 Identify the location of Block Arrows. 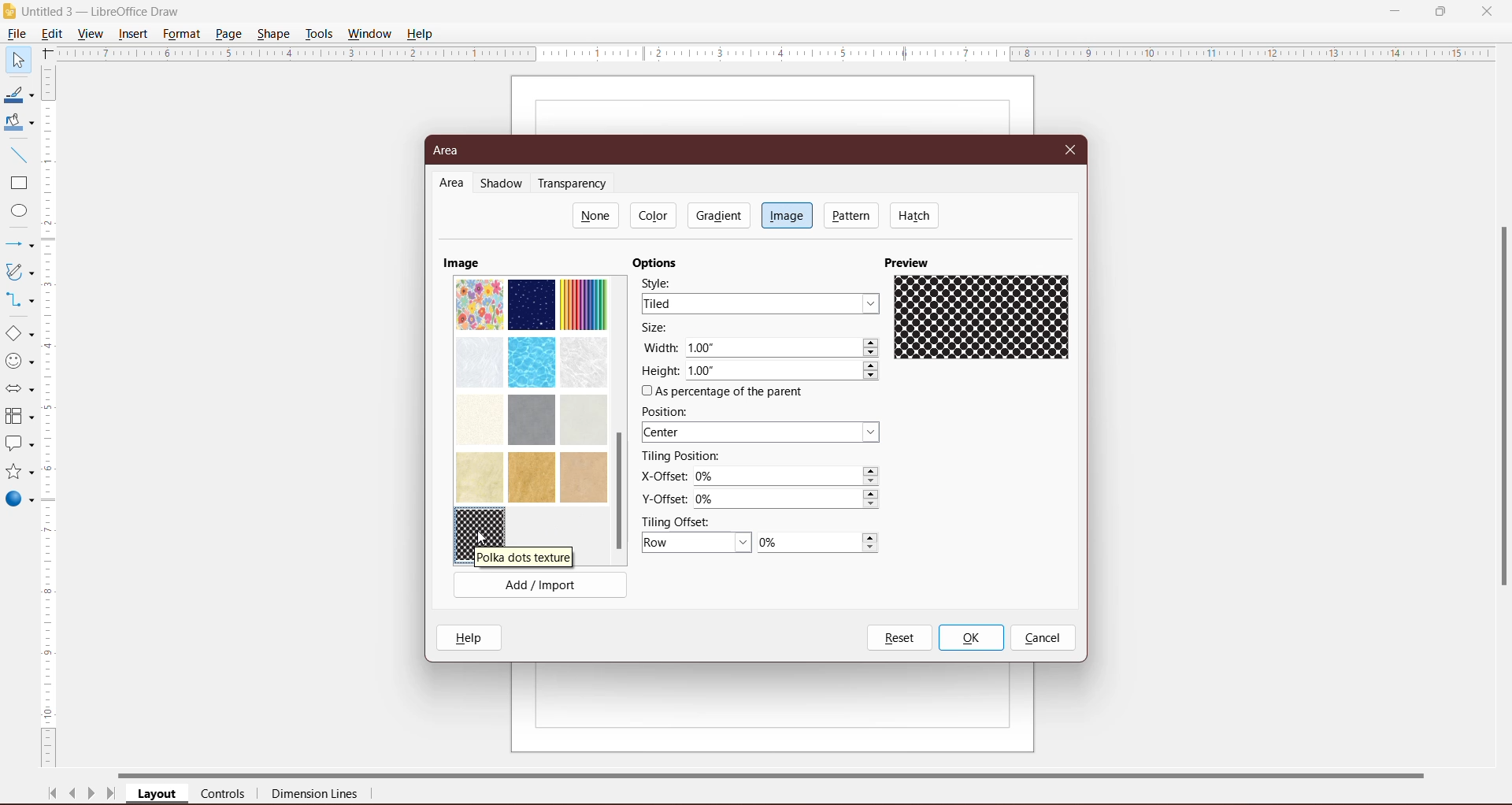
(18, 391).